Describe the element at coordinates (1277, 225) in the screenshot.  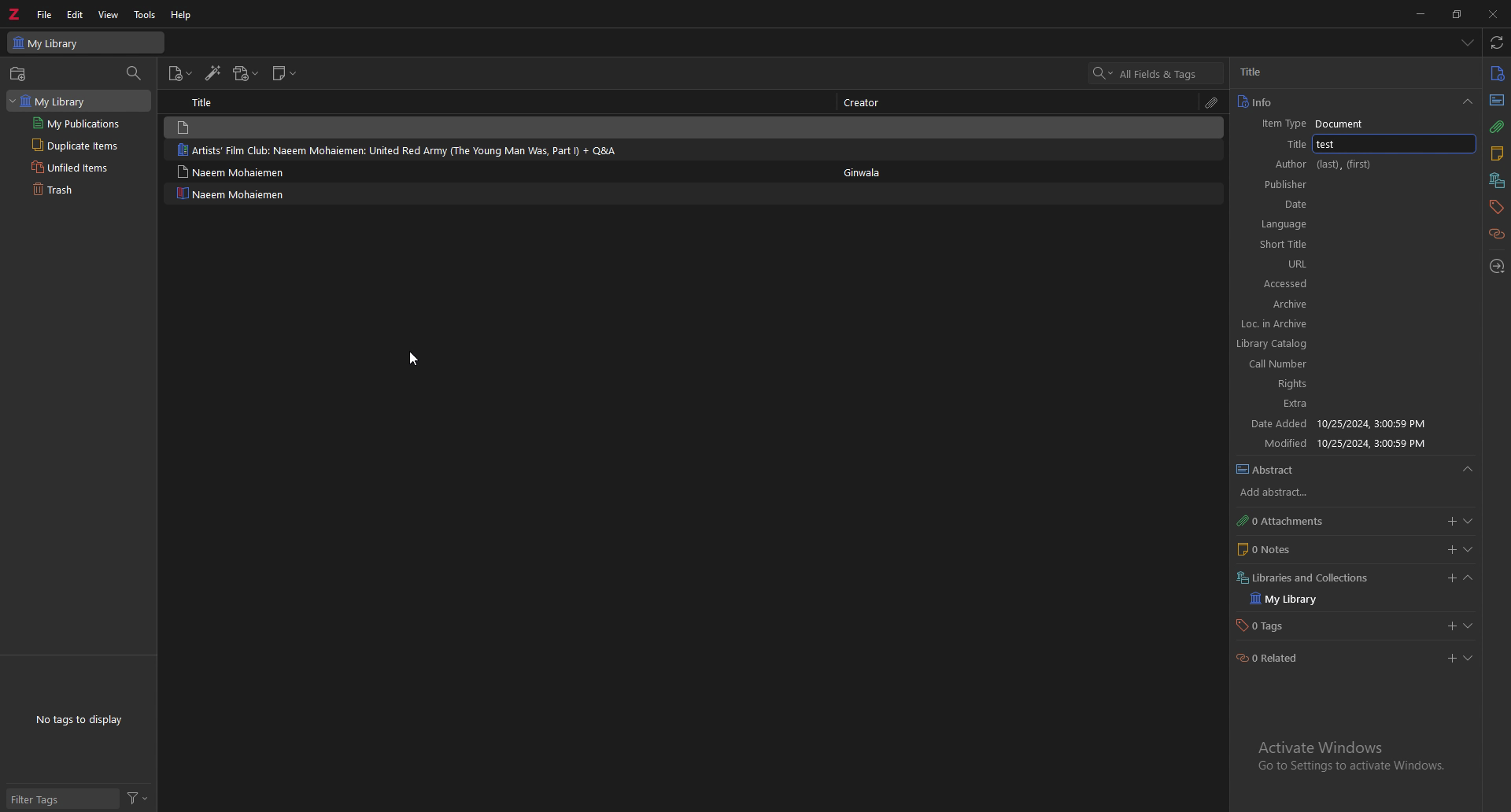
I see `series number` at that location.